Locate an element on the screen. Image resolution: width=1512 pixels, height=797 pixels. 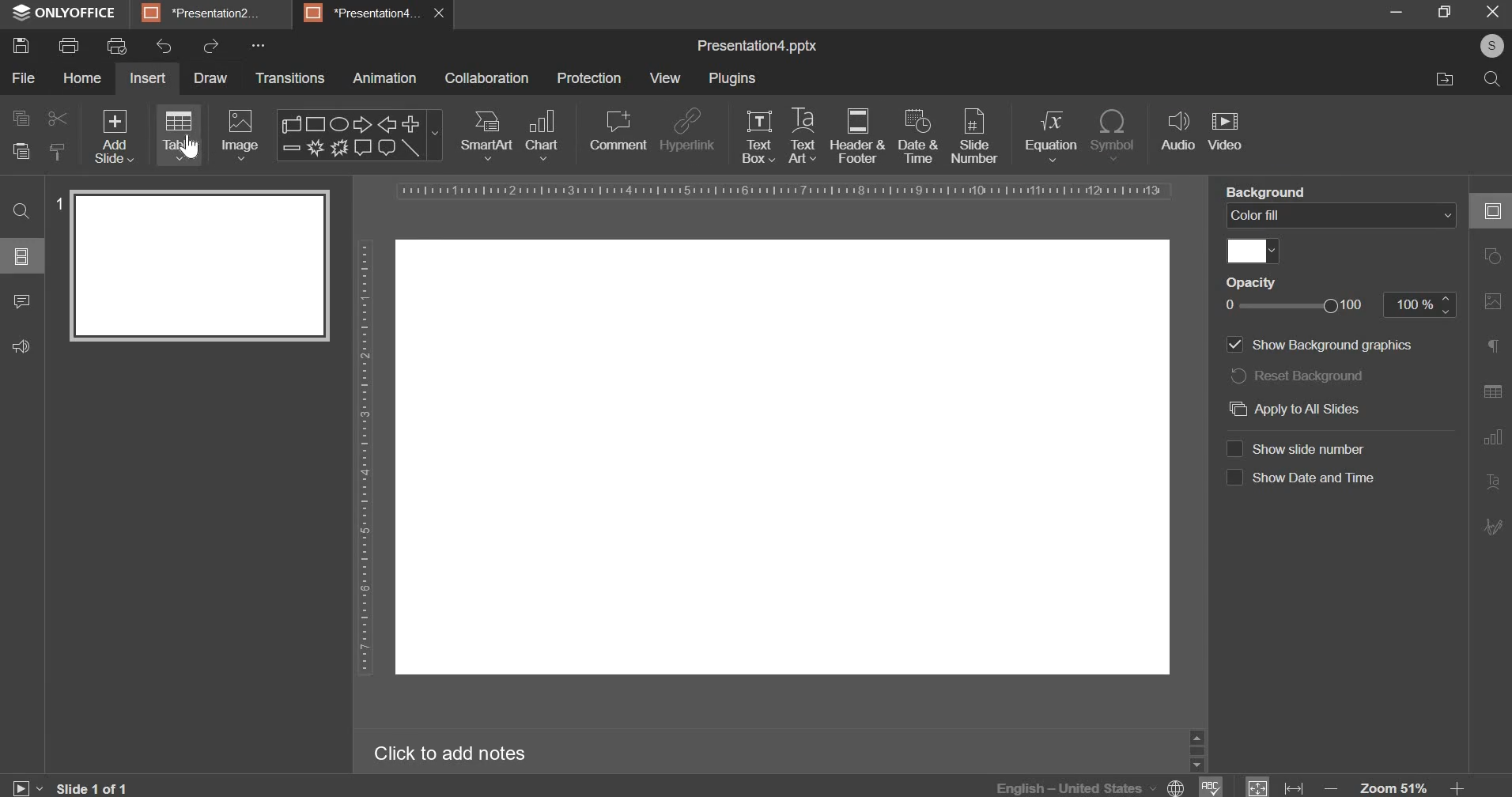
cursor is located at coordinates (189, 147).